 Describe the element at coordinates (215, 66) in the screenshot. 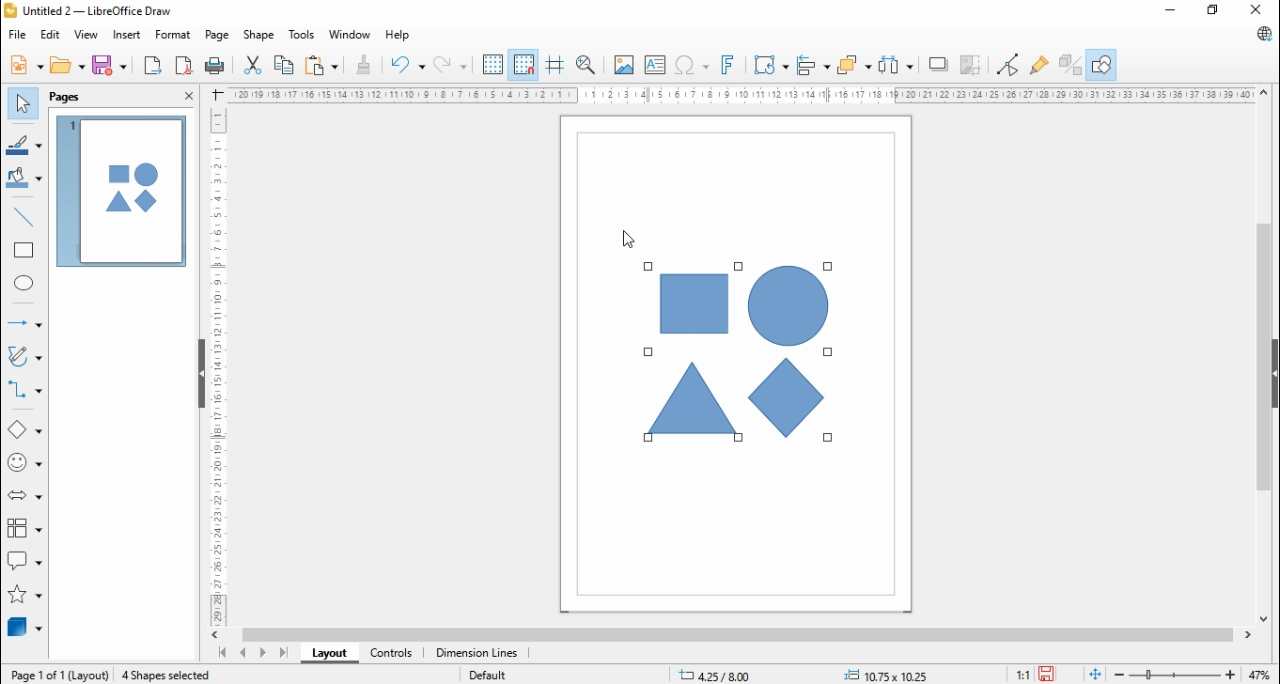

I see `print` at that location.